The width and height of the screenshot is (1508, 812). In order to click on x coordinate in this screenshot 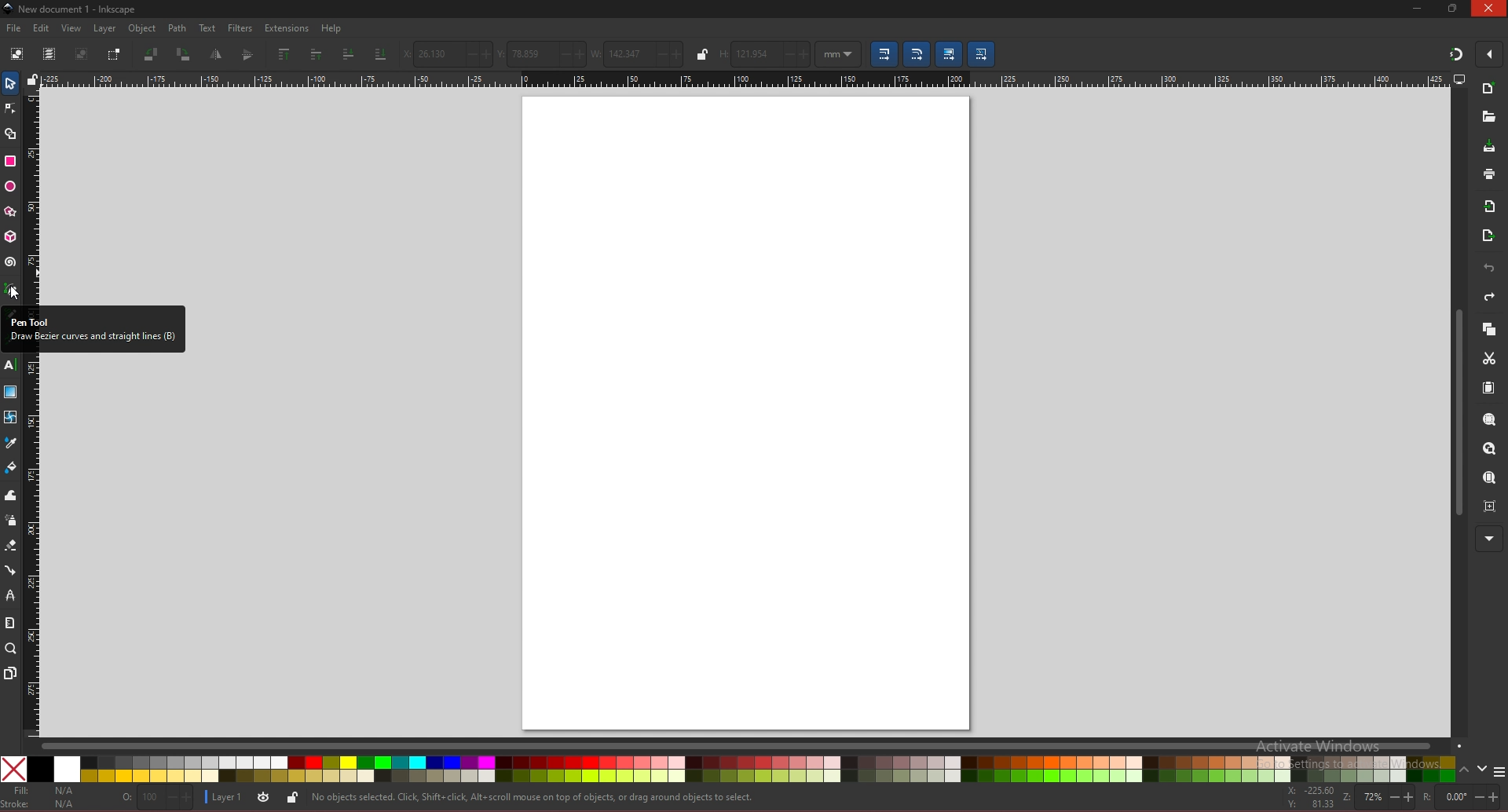, I will do `click(446, 54)`.